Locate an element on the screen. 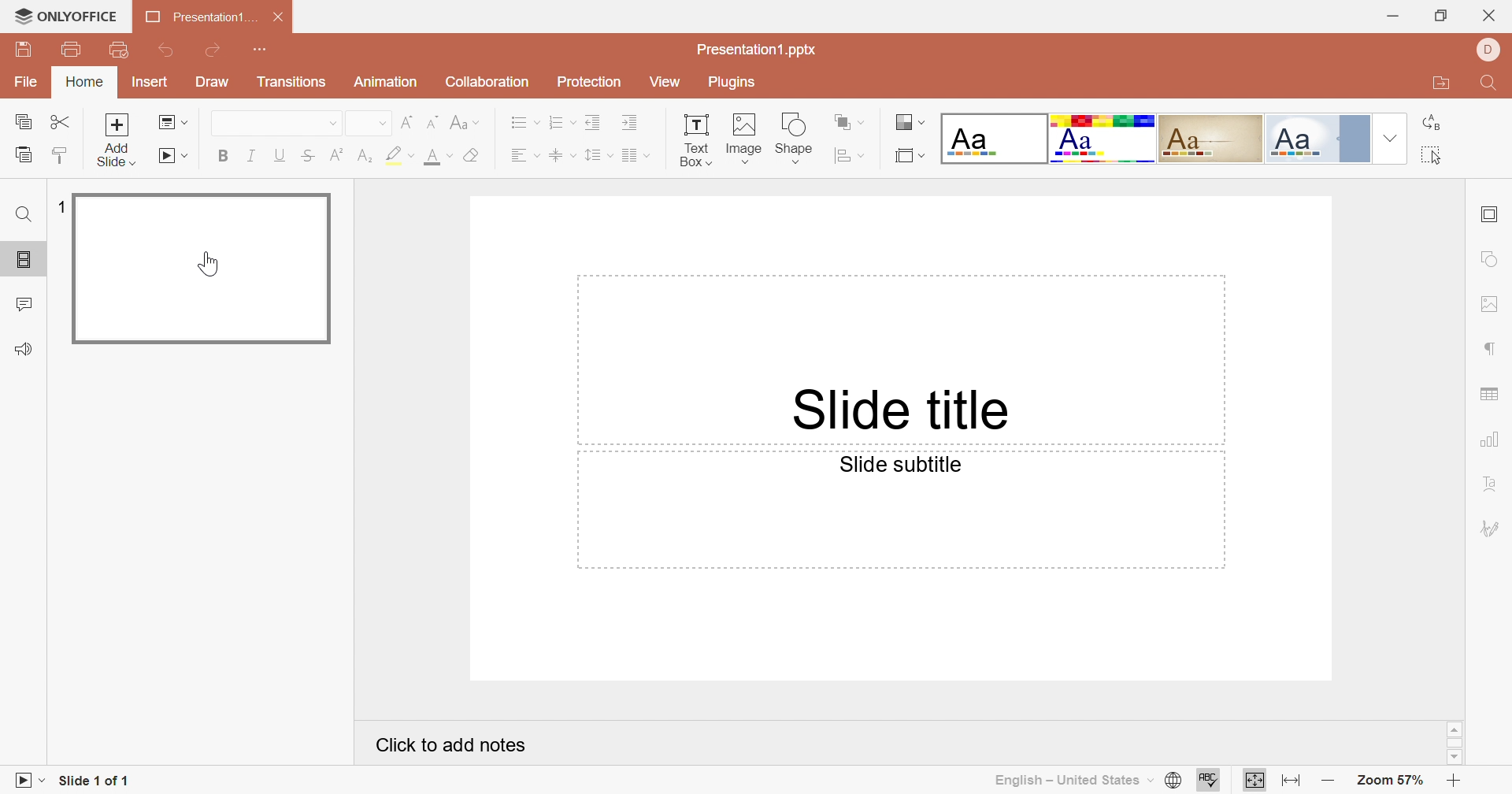  Draw is located at coordinates (213, 82).